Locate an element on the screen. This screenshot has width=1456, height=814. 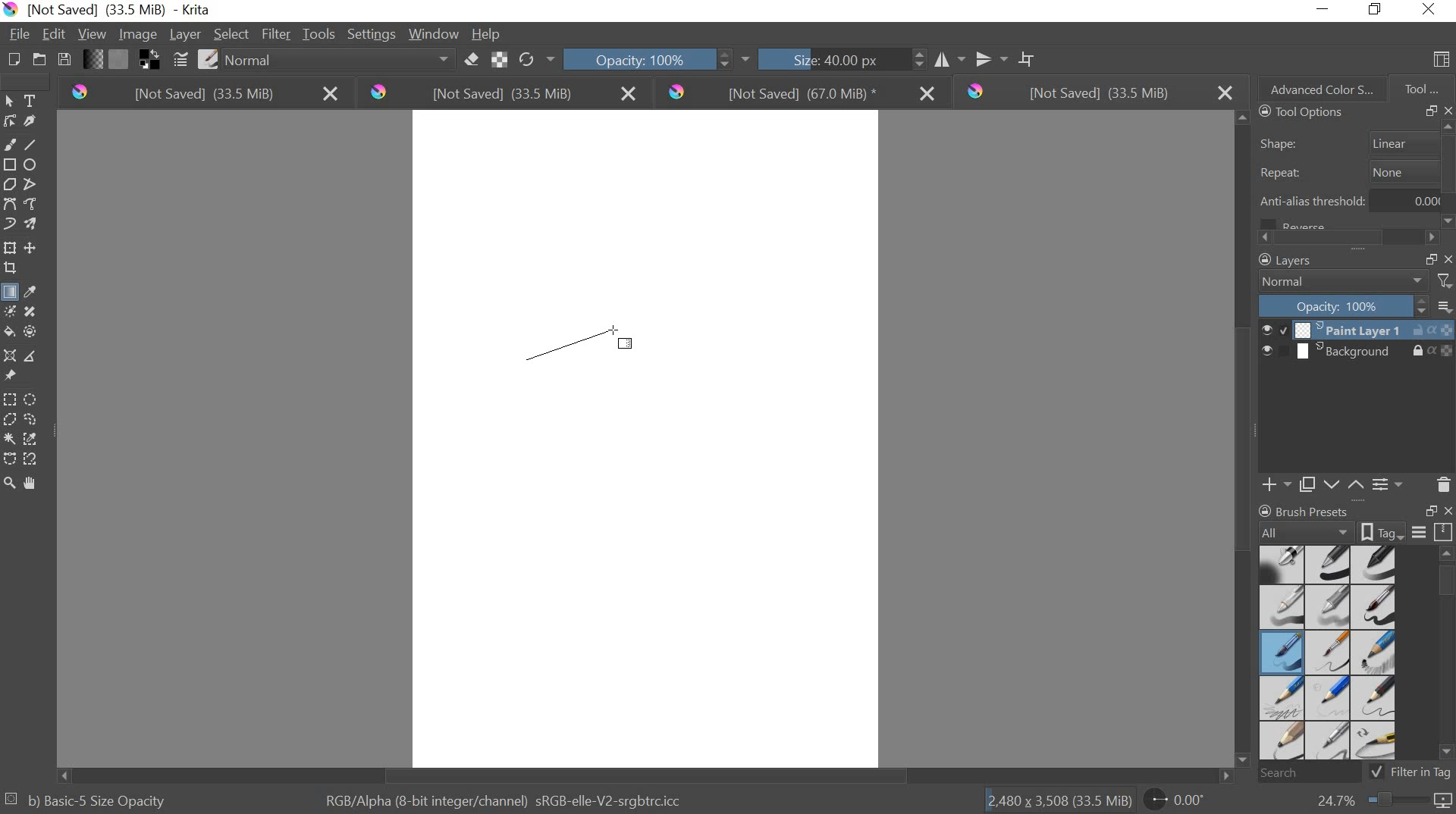
HELP is located at coordinates (487, 35).